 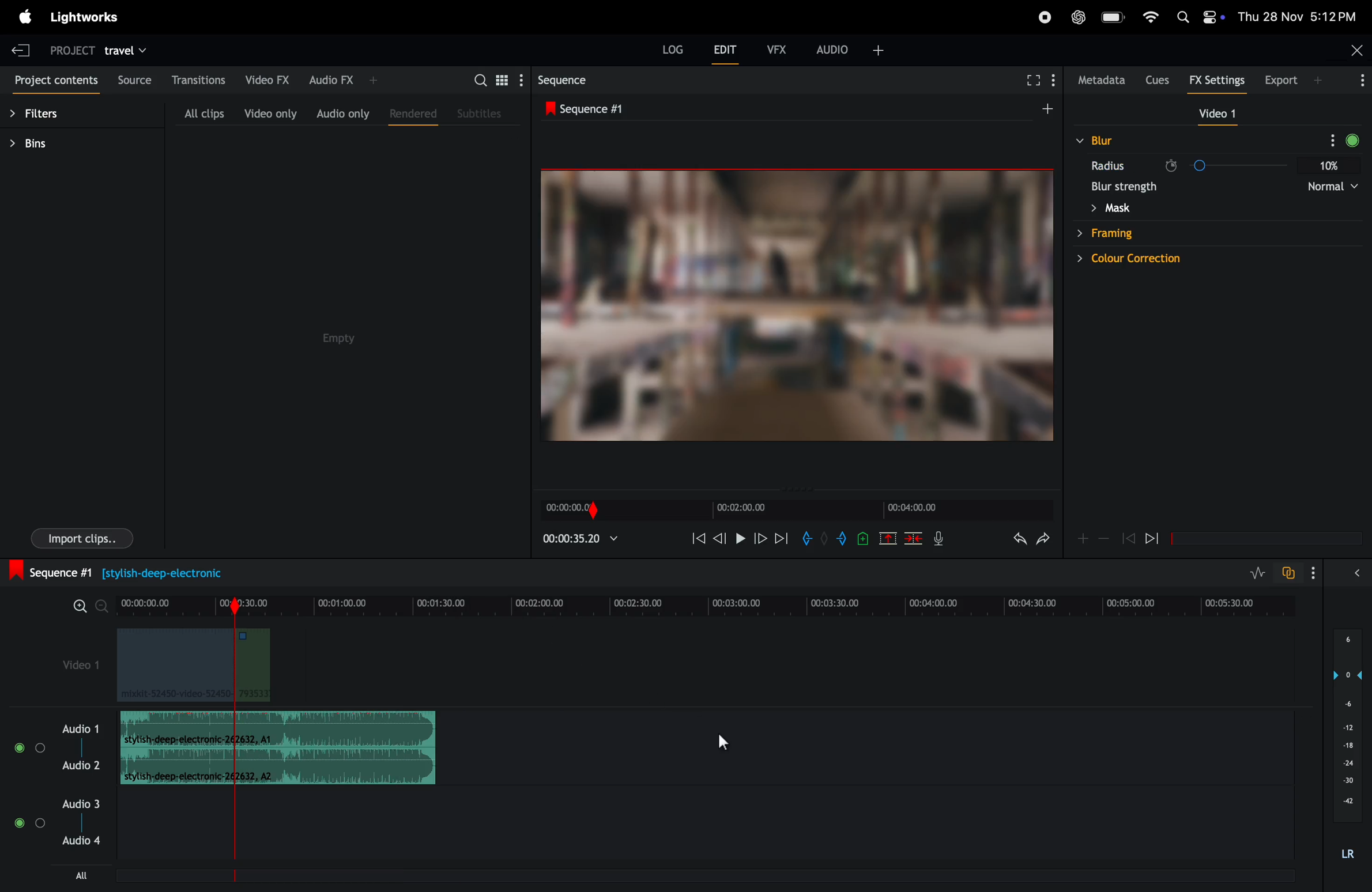 What do you see at coordinates (1114, 16) in the screenshot?
I see `battery` at bounding box center [1114, 16].